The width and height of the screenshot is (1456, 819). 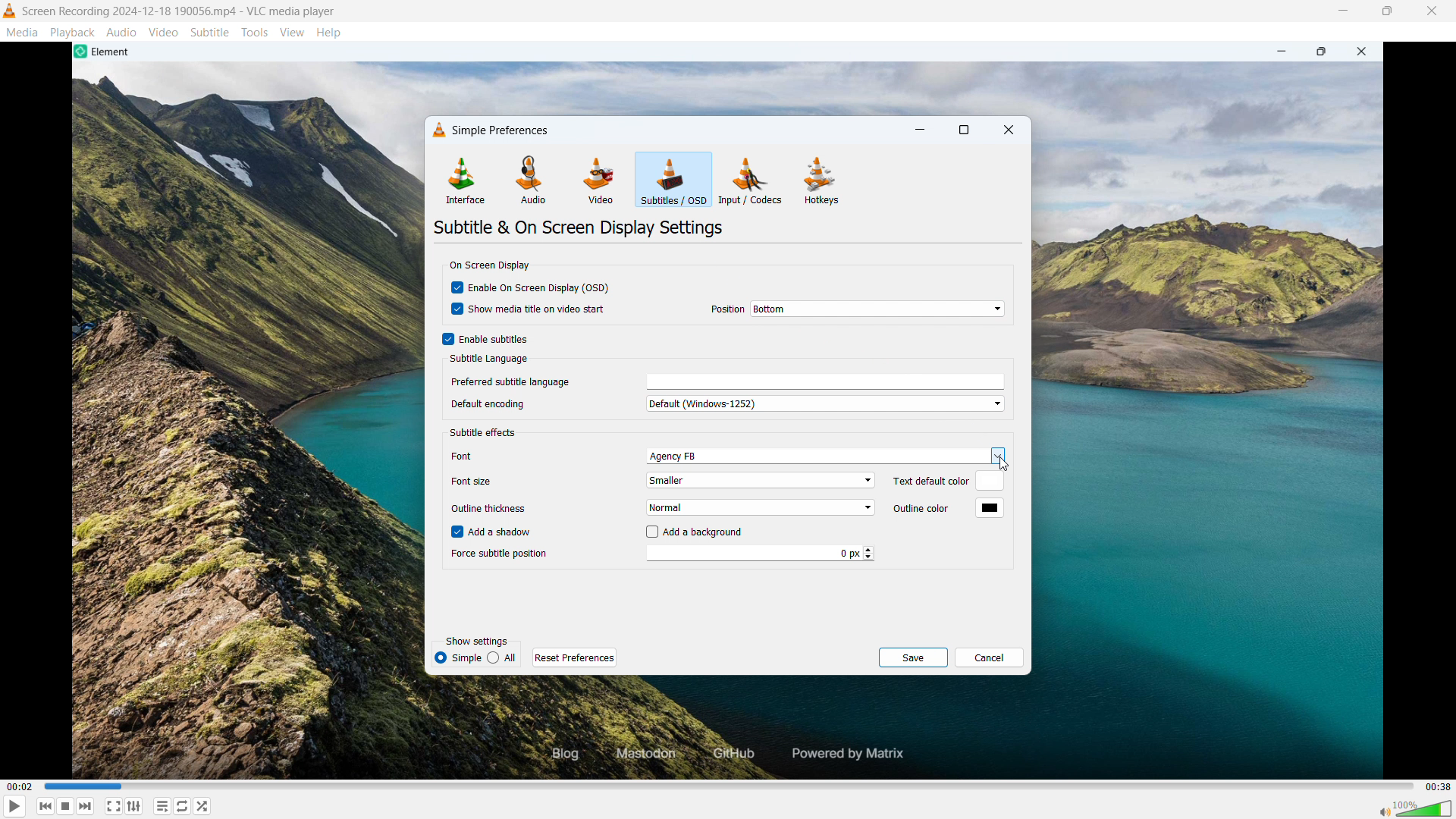 I want to click on add a shadow, so click(x=493, y=530).